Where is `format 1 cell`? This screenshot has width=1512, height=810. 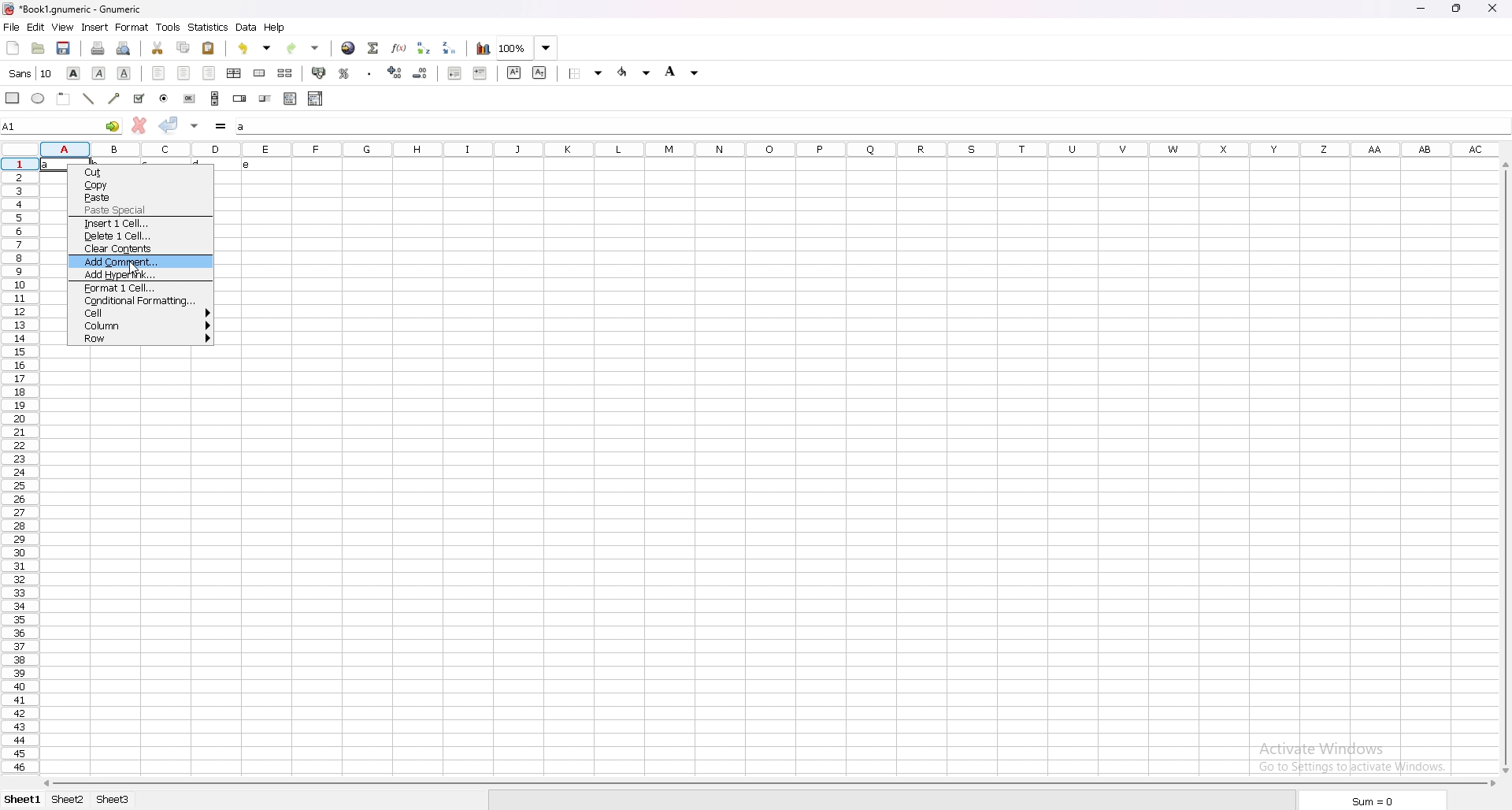
format 1 cell is located at coordinates (141, 288).